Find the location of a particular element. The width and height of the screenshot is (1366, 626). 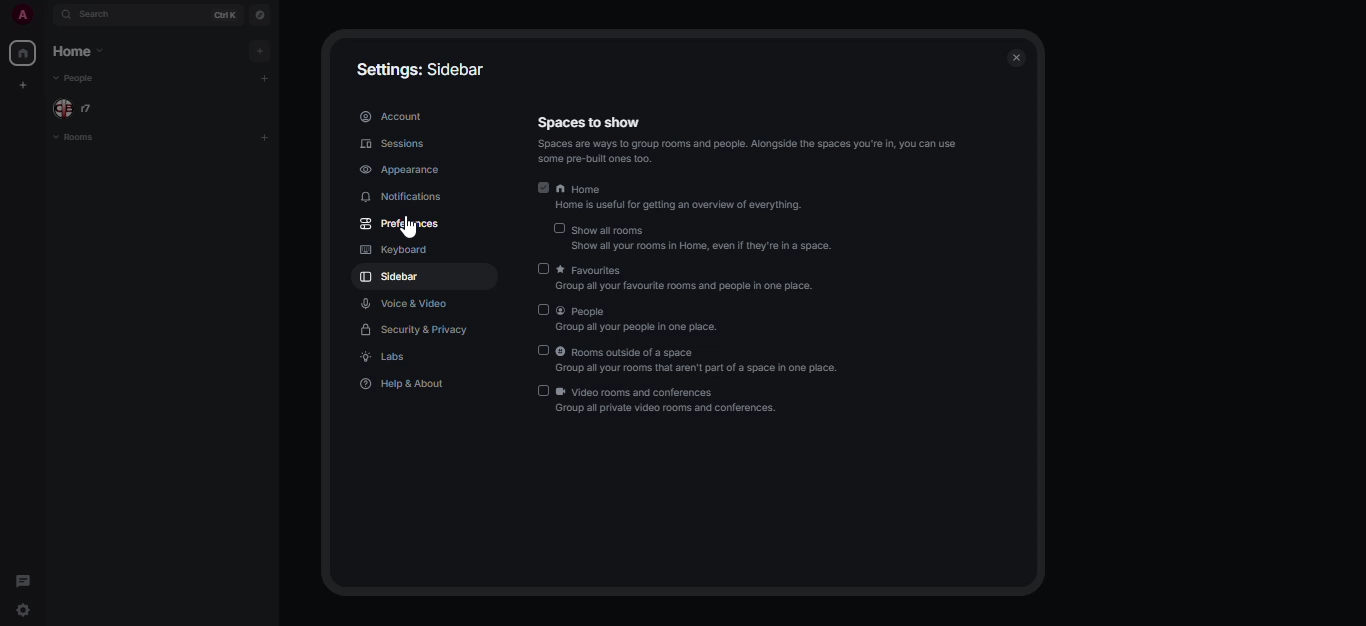

search is located at coordinates (100, 16).